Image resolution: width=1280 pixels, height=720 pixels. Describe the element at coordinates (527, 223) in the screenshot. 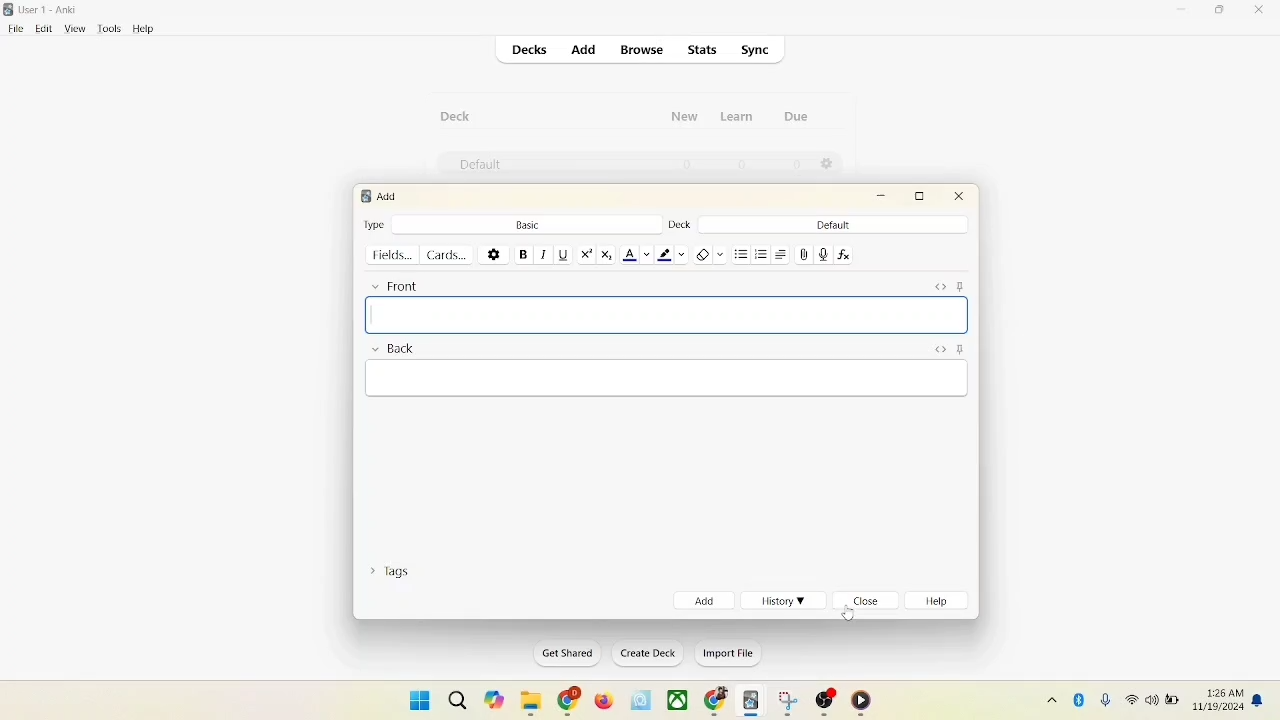

I see `basic` at that location.